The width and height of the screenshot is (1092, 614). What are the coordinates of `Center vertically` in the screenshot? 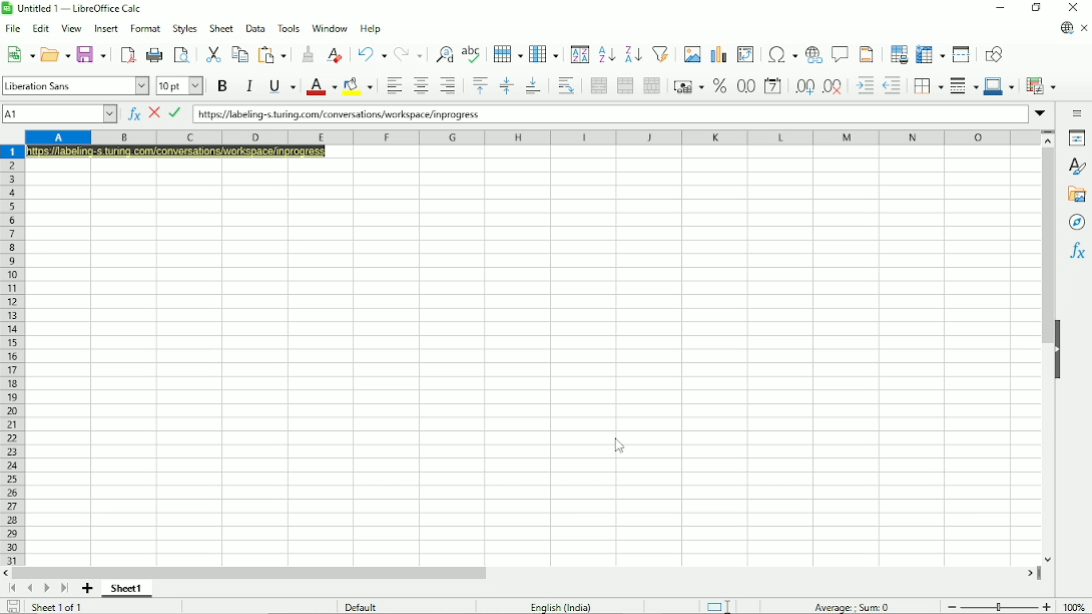 It's located at (506, 86).